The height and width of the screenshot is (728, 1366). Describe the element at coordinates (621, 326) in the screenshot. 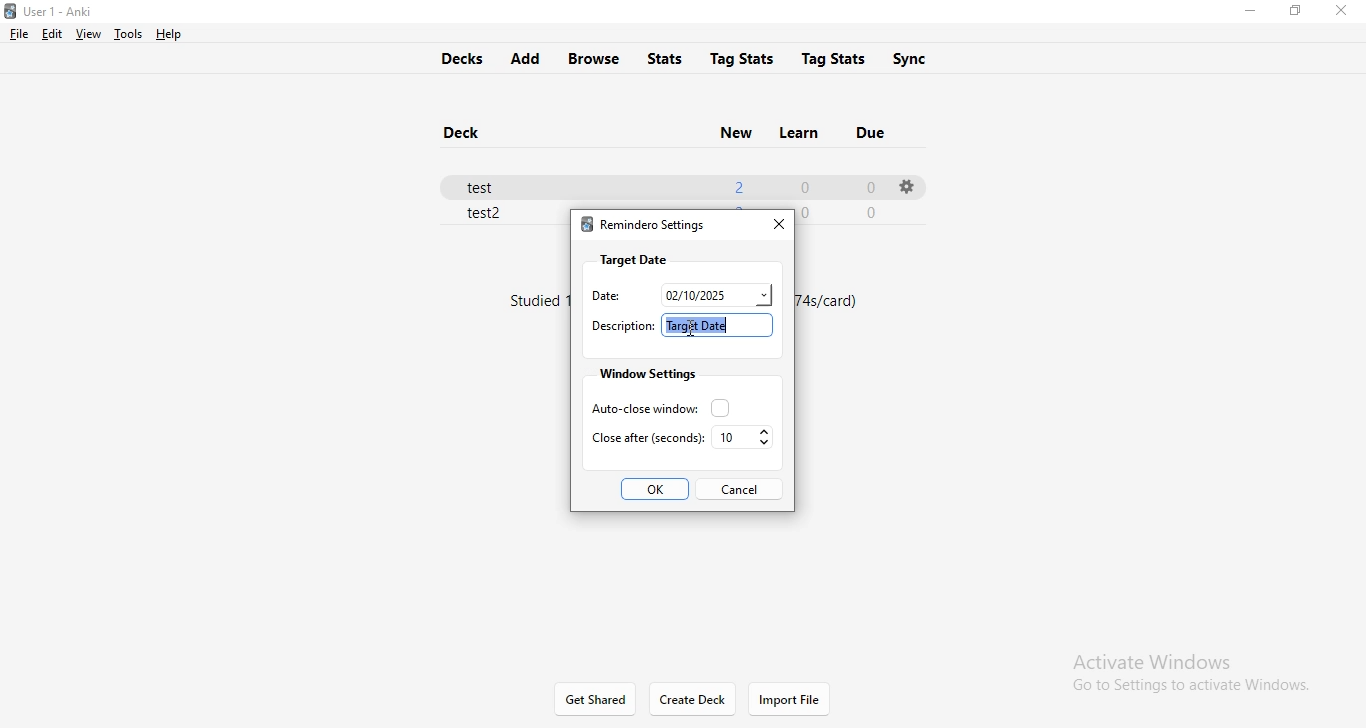

I see `descriptiuon` at that location.